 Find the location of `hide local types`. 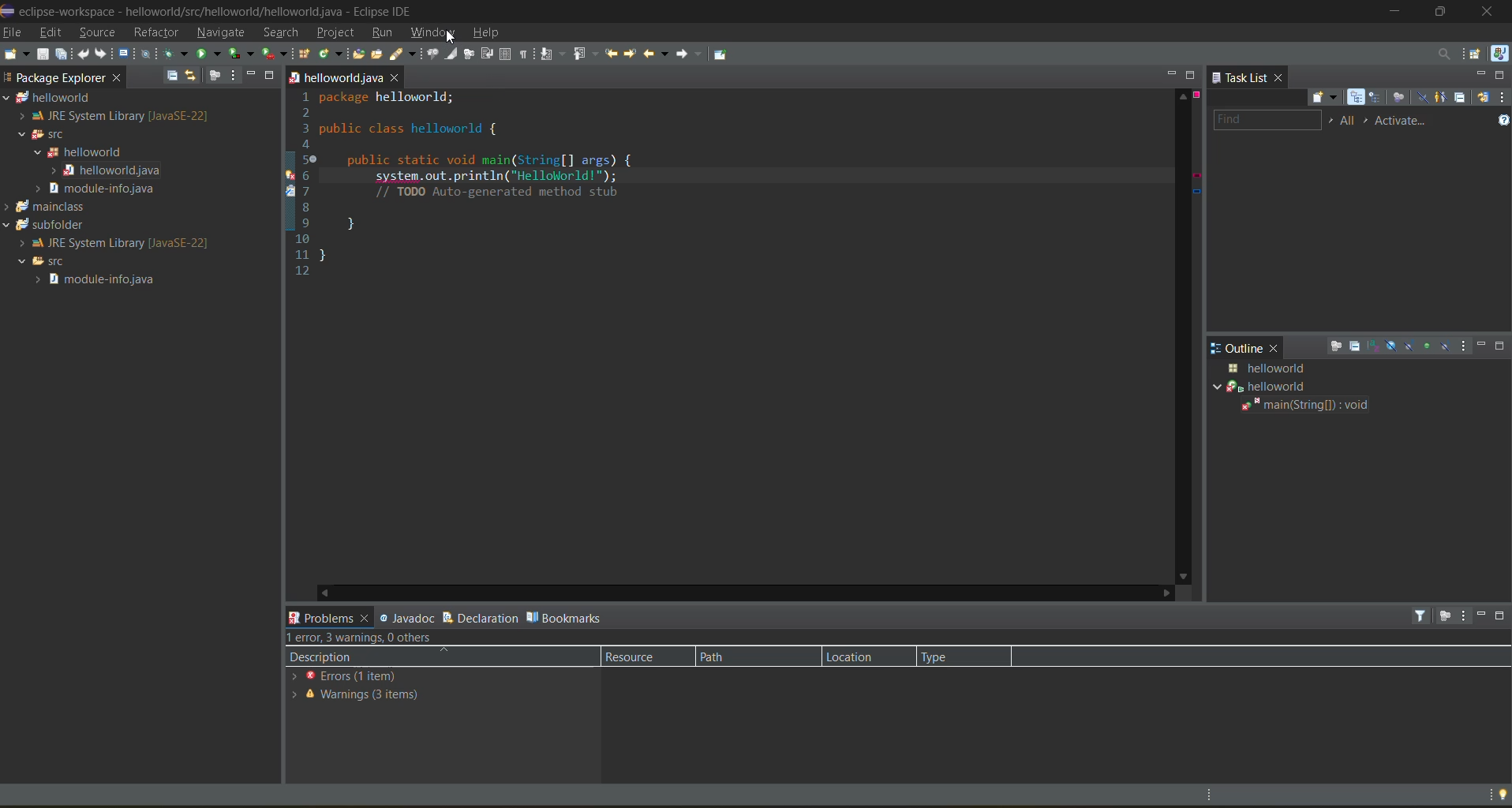

hide local types is located at coordinates (1447, 345).